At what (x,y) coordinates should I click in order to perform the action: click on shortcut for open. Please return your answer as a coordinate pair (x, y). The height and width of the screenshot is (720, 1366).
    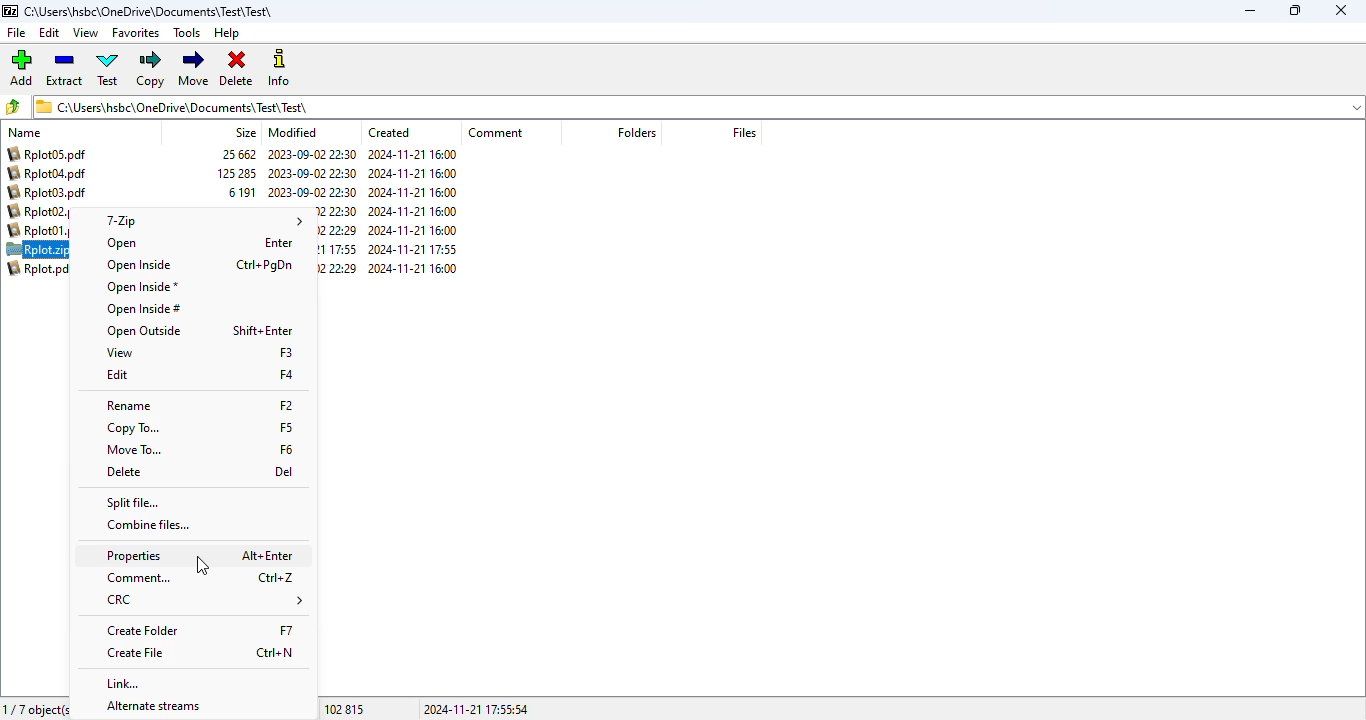
    Looking at the image, I should click on (279, 243).